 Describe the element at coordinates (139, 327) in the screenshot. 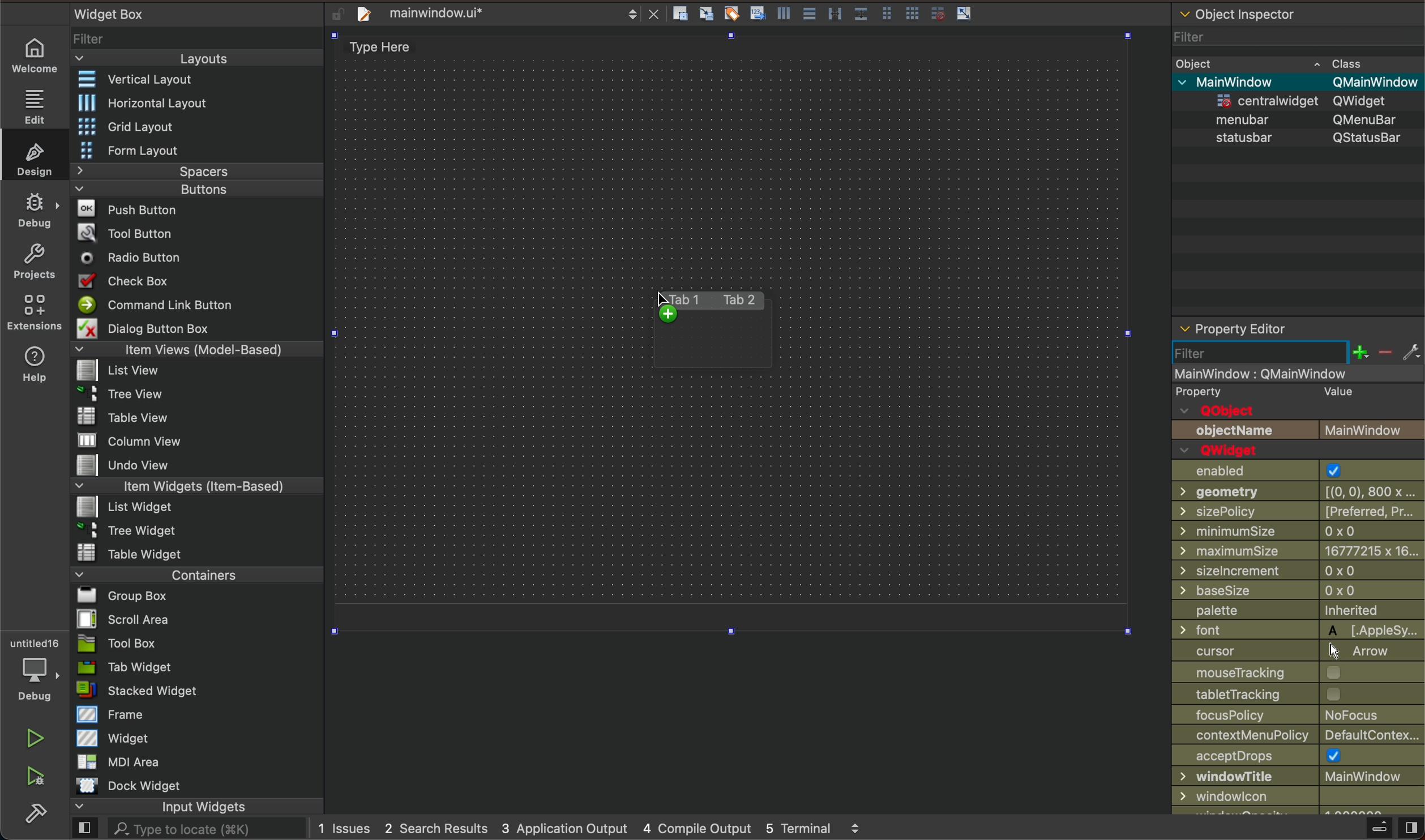

I see `Dialog Button Box` at that location.